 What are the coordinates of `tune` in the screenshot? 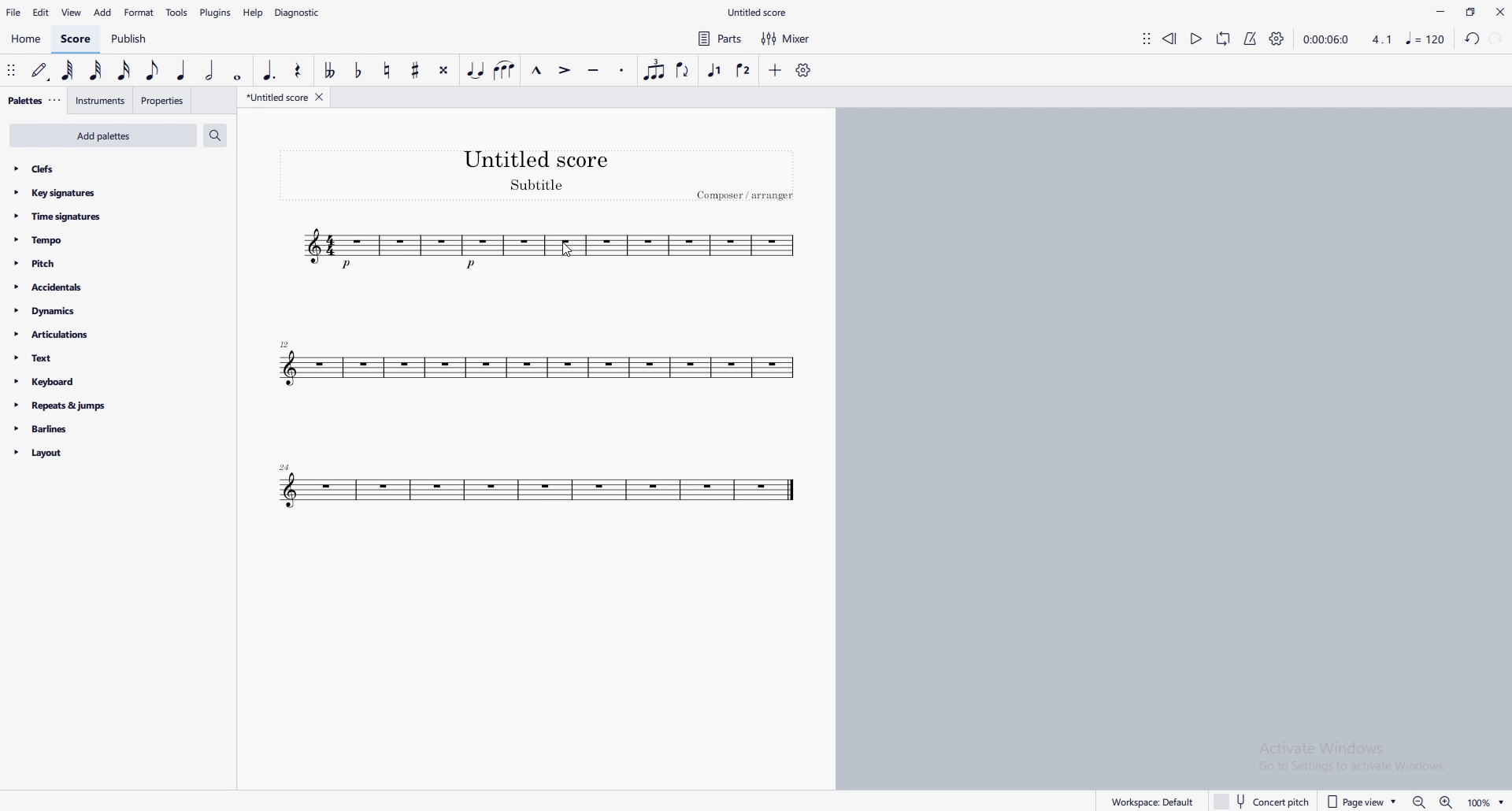 It's located at (549, 248).